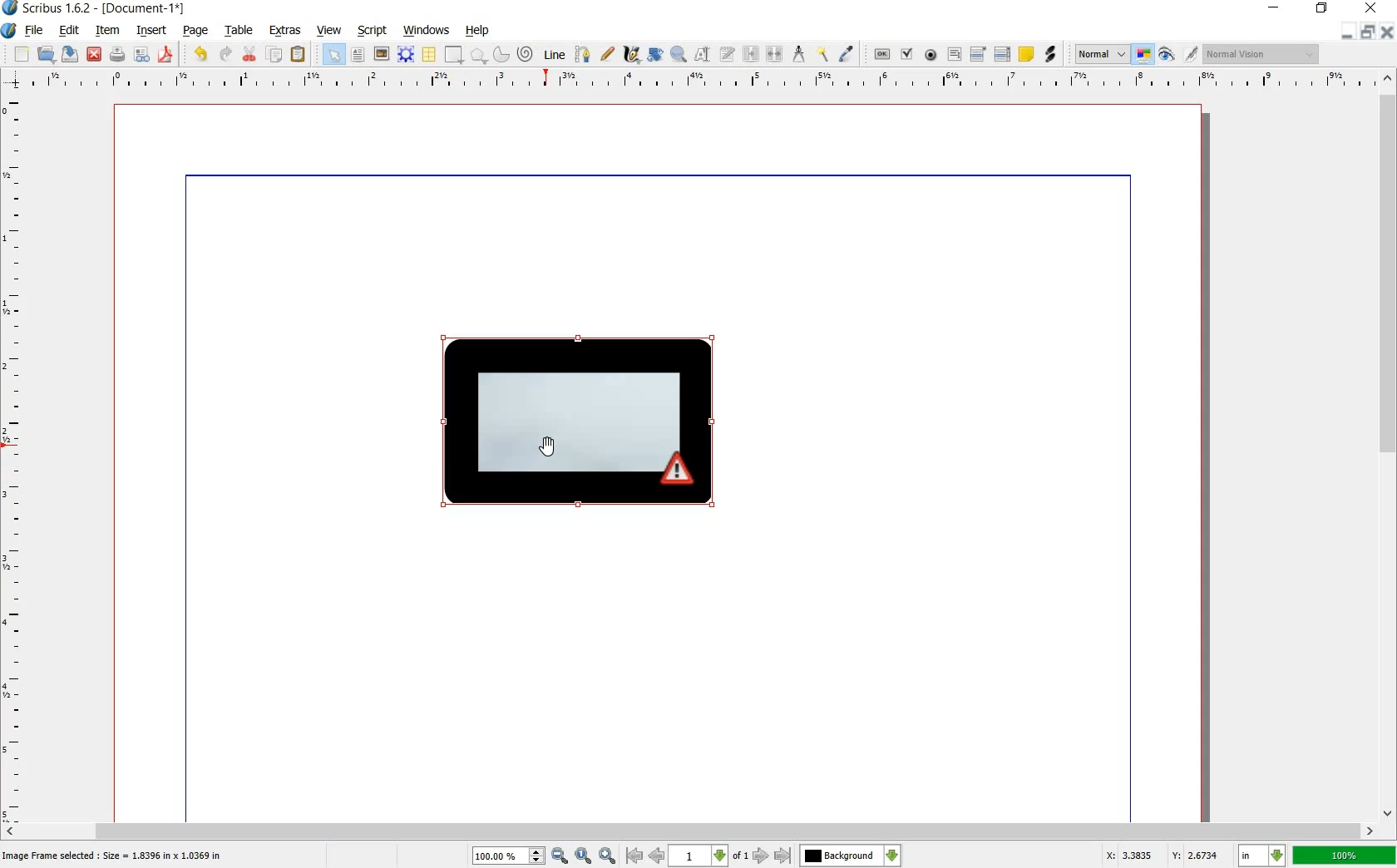  What do you see at coordinates (201, 53) in the screenshot?
I see `undo` at bounding box center [201, 53].